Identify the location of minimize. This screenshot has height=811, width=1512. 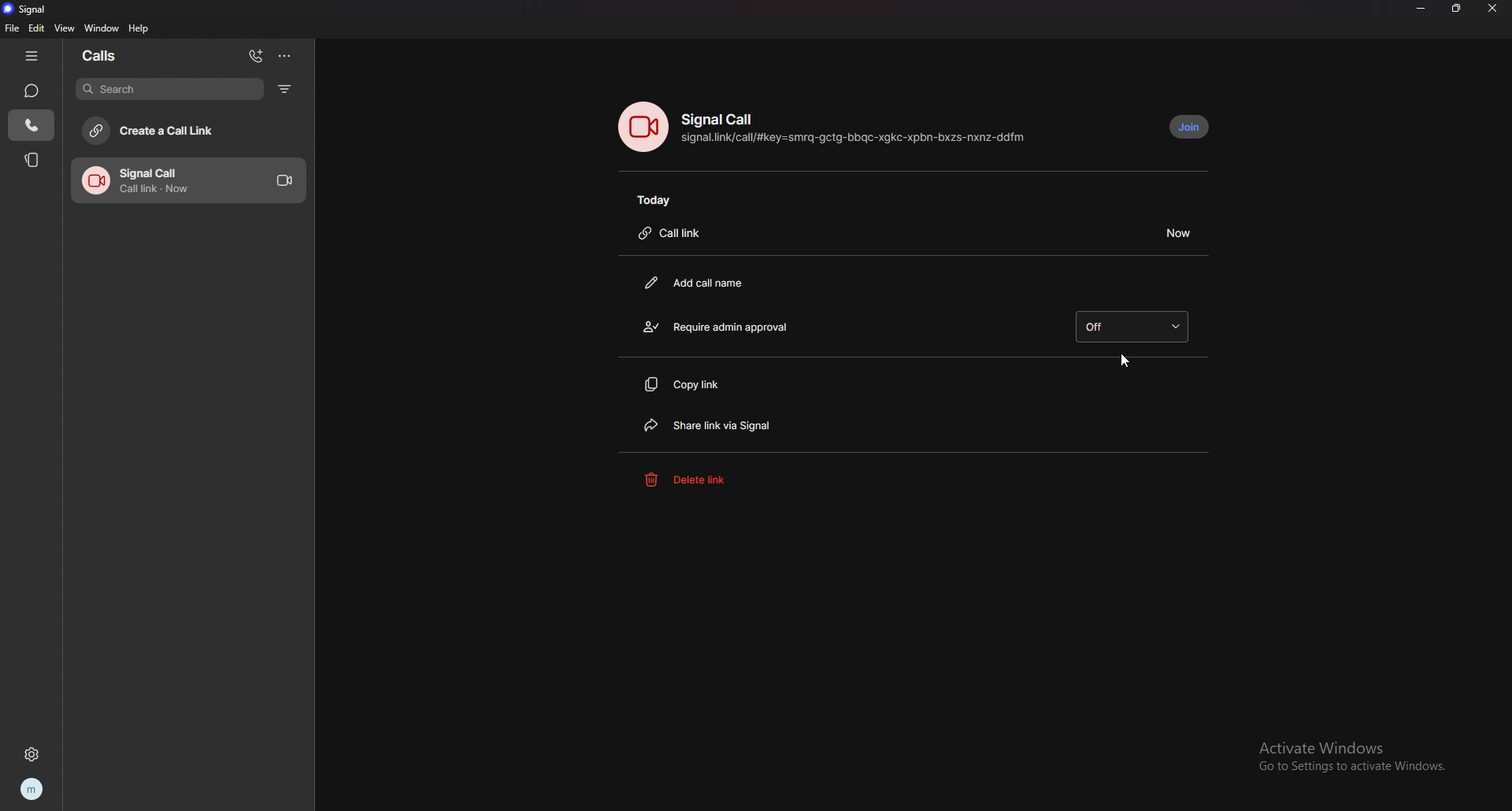
(1421, 8).